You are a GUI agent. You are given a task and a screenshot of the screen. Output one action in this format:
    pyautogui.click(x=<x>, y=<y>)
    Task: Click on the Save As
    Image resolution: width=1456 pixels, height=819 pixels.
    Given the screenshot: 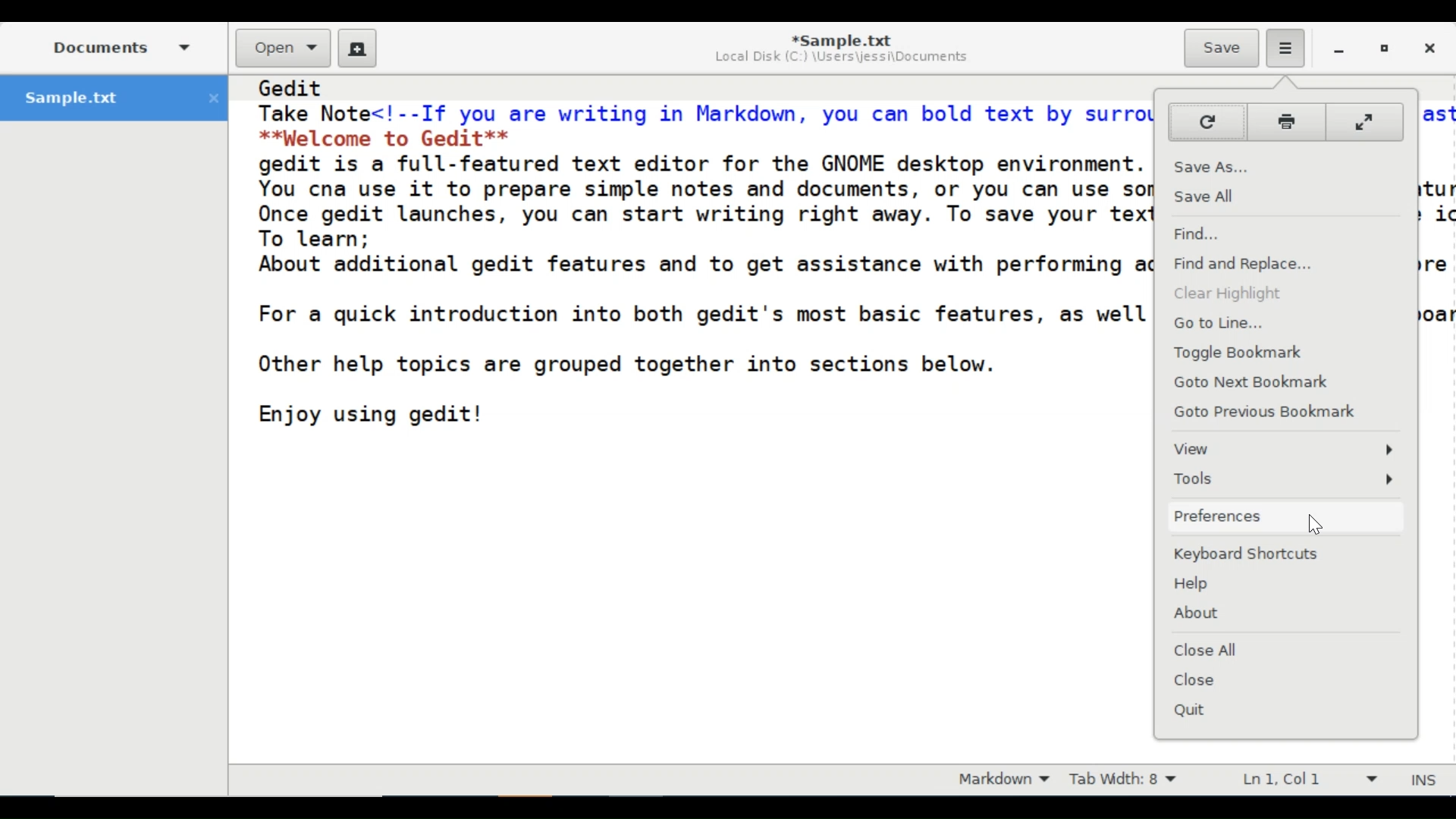 What is the action you would take?
    pyautogui.click(x=1216, y=168)
    